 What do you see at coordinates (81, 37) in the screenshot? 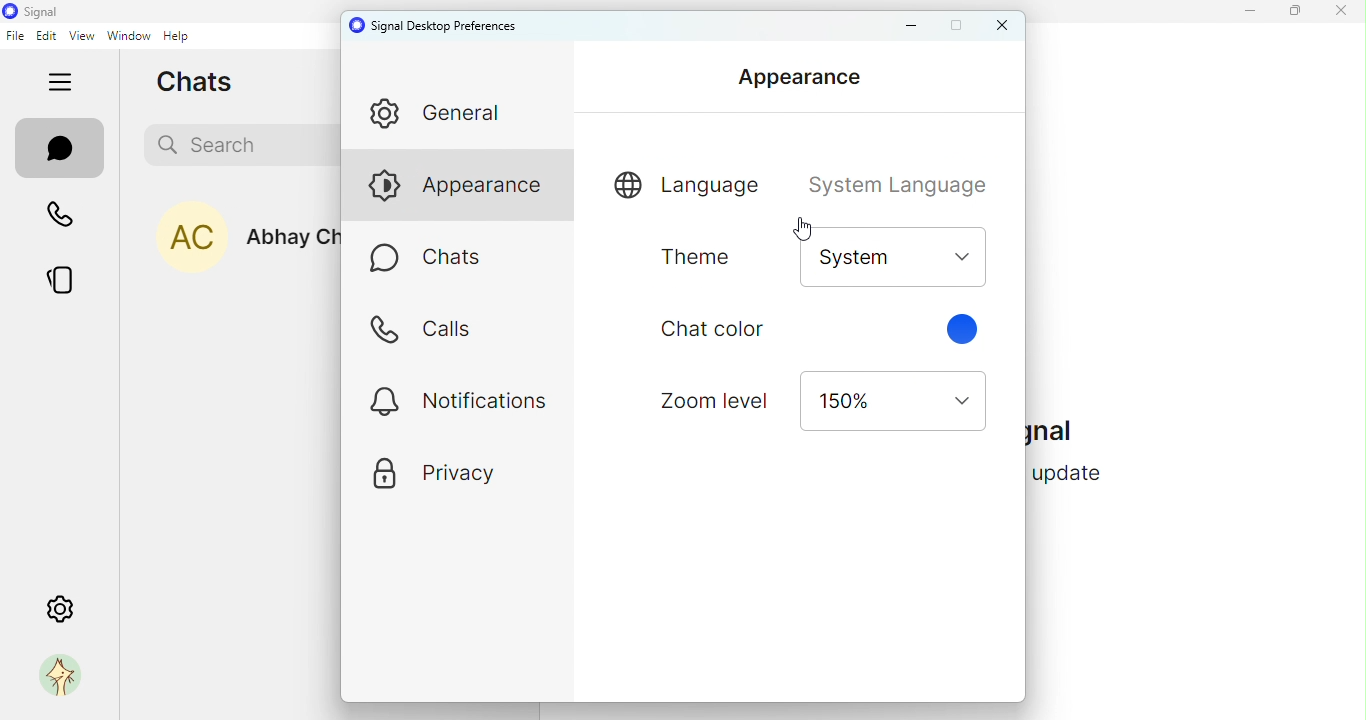
I see `view` at bounding box center [81, 37].